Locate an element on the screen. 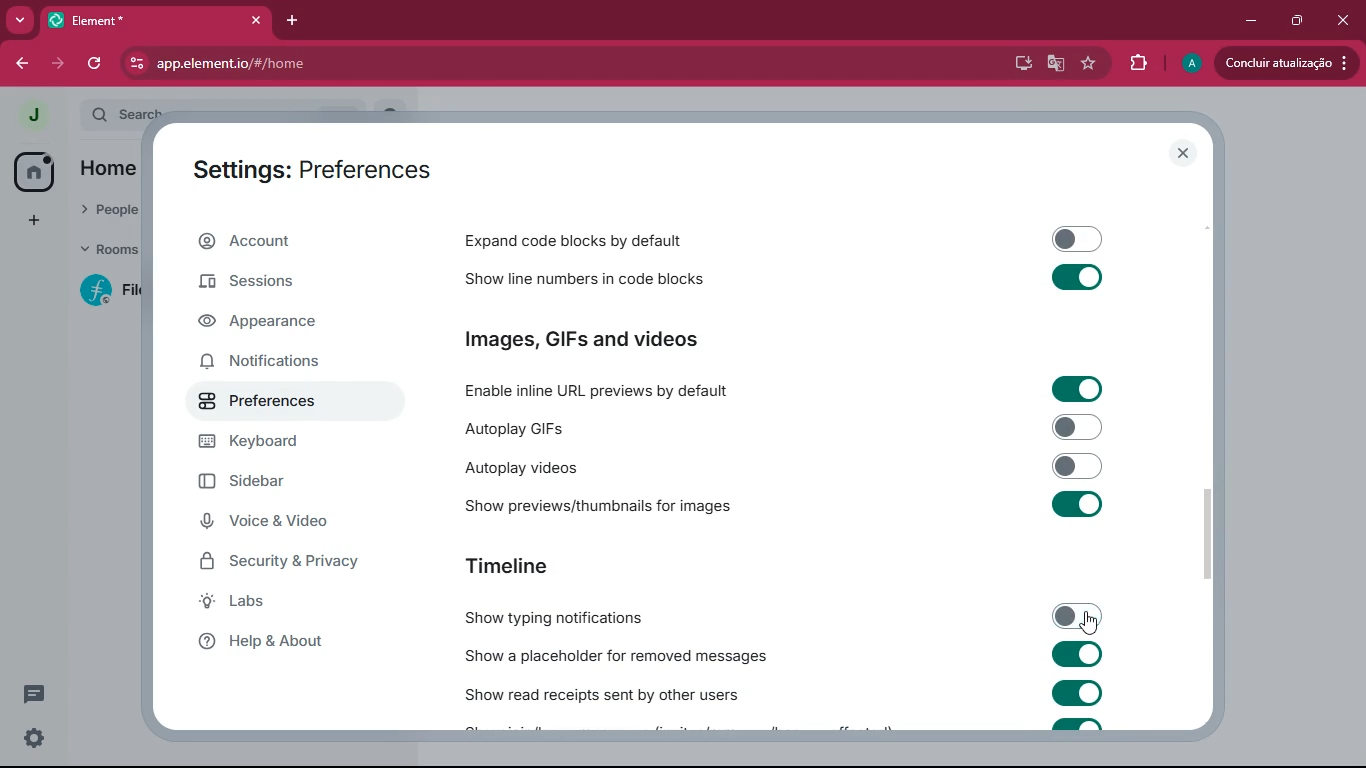 This screenshot has height=768, width=1366. quick settings is located at coordinates (34, 738).